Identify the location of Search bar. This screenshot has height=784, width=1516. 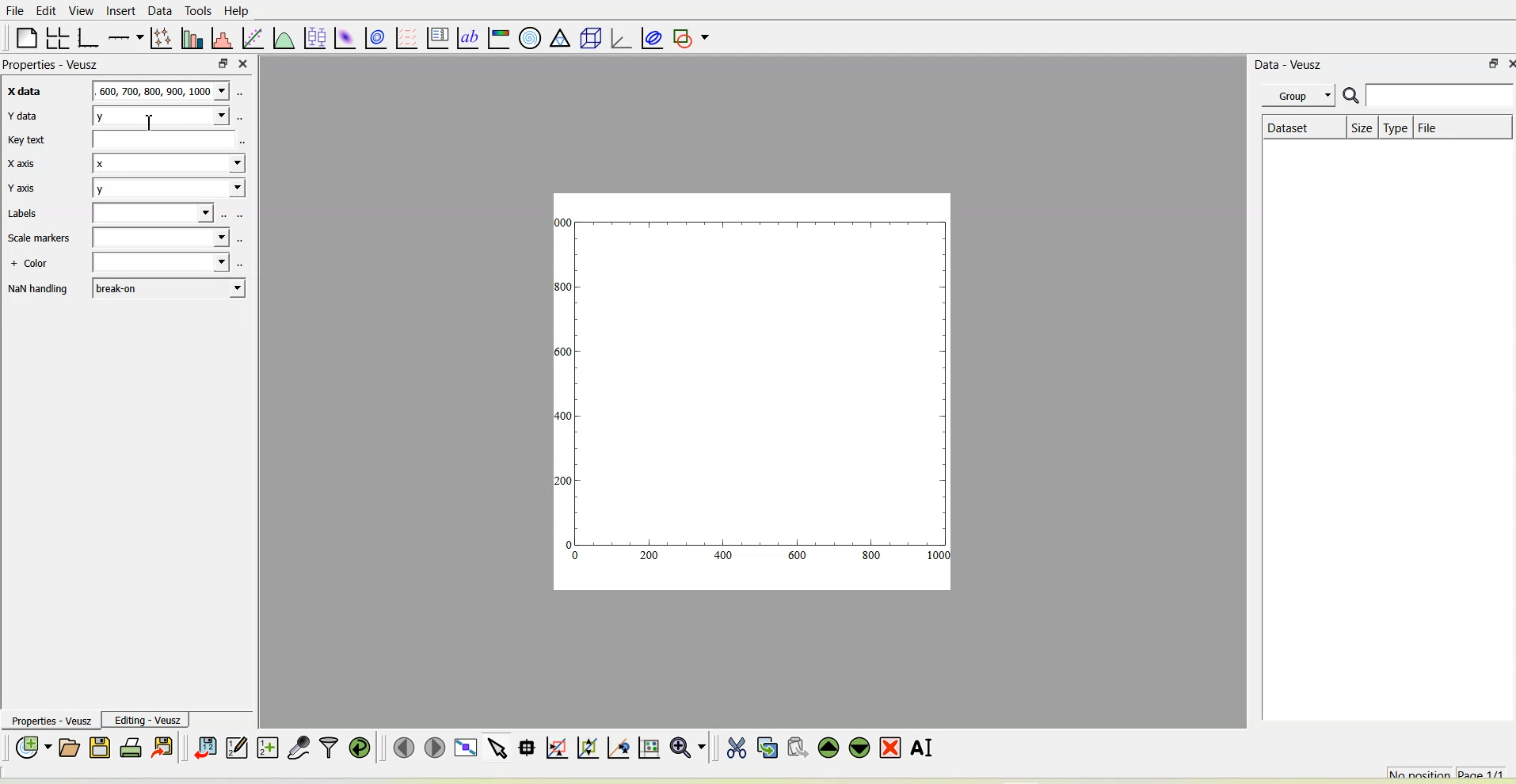
(1427, 95).